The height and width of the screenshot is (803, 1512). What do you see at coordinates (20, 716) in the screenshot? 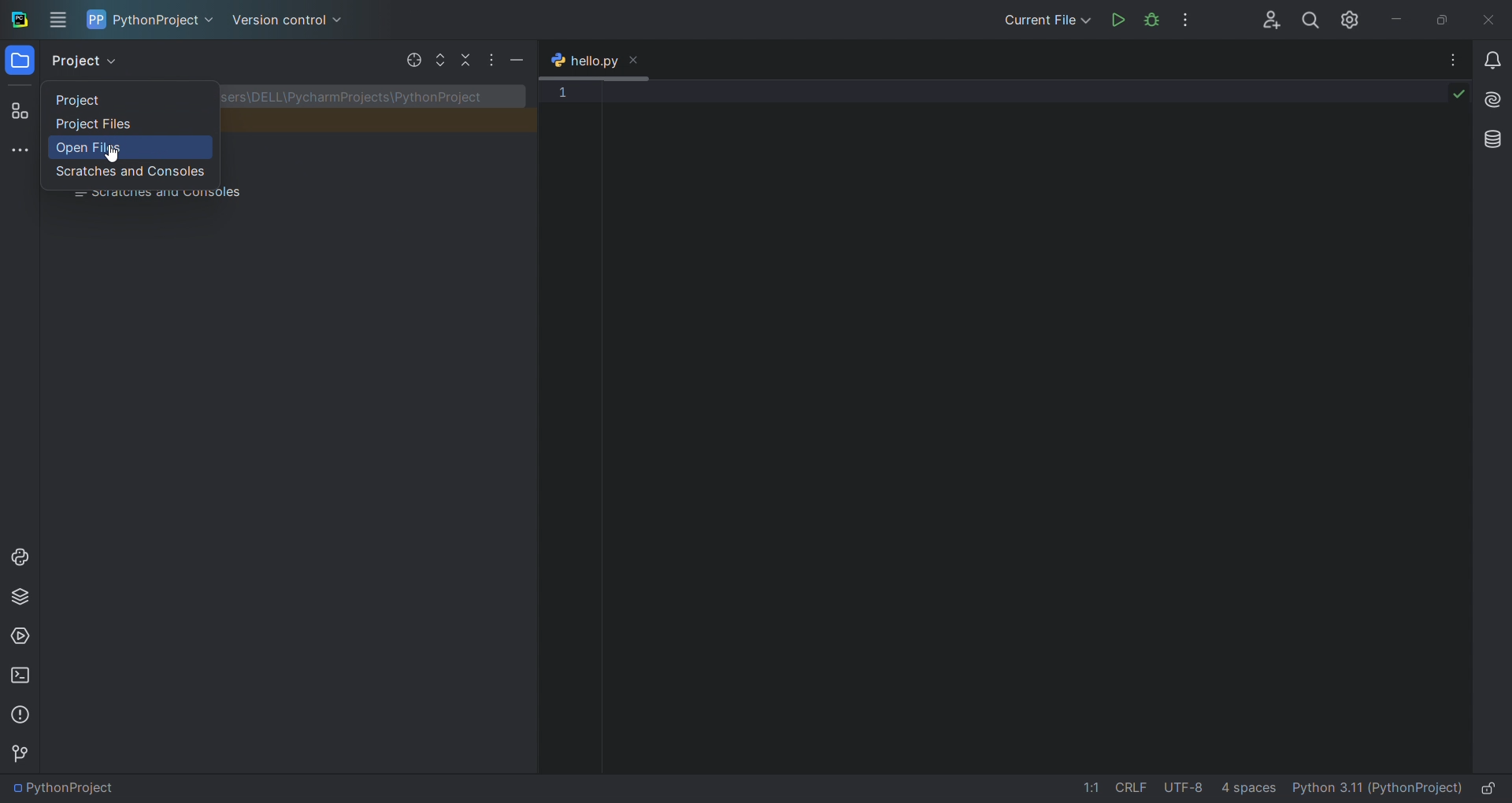
I see `problems` at bounding box center [20, 716].